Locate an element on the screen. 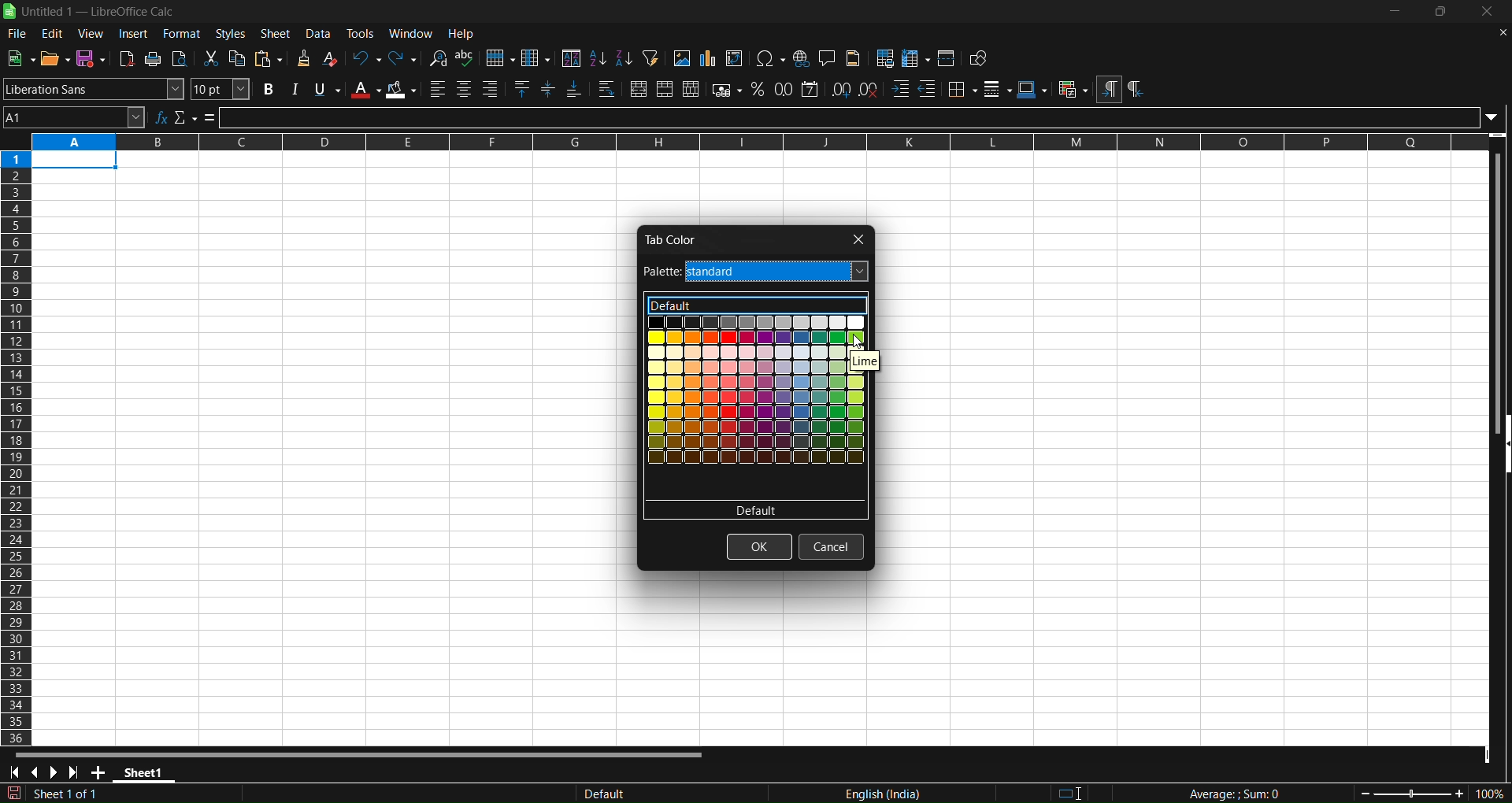 The width and height of the screenshot is (1512, 803). scroll to previous sheet is located at coordinates (38, 774).